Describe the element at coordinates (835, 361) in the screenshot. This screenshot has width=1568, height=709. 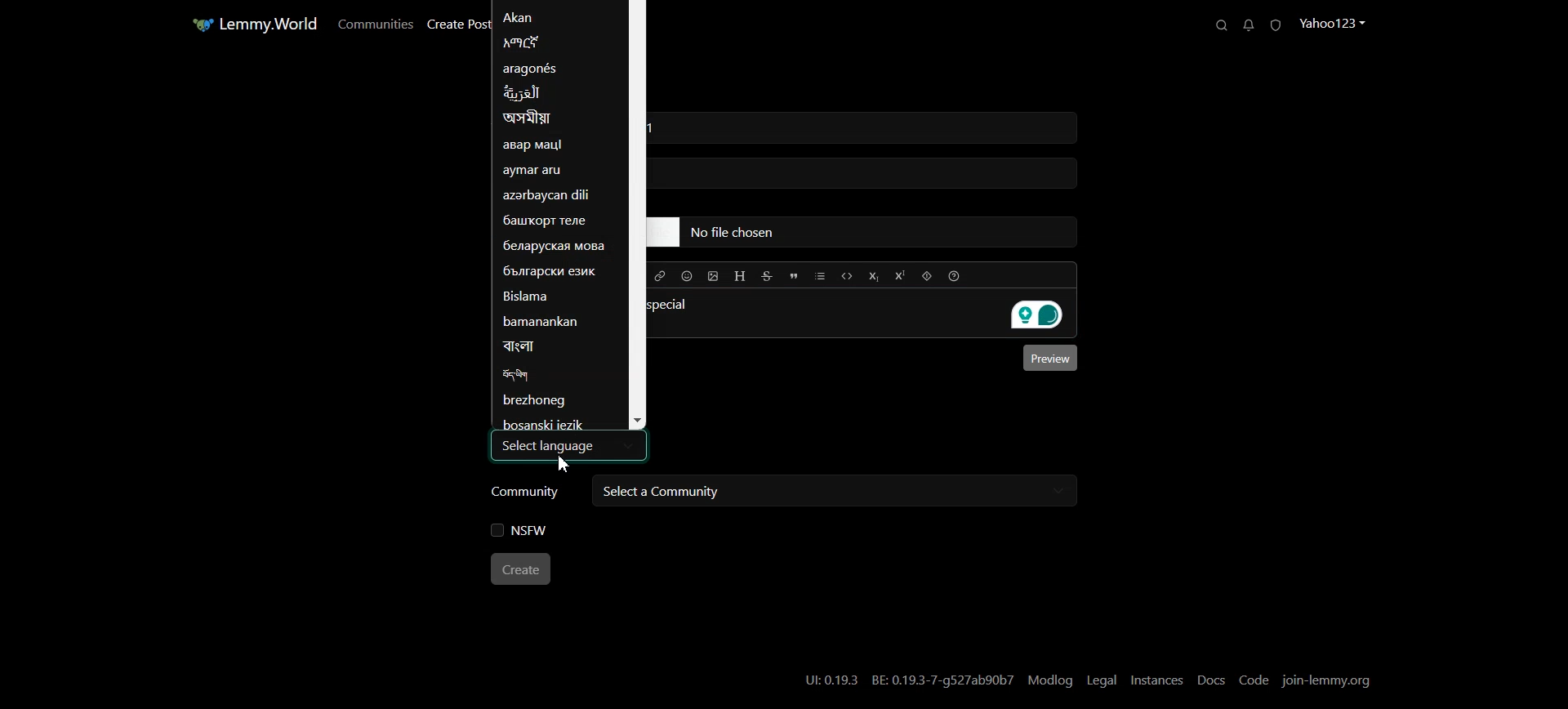
I see `Typing window` at that location.